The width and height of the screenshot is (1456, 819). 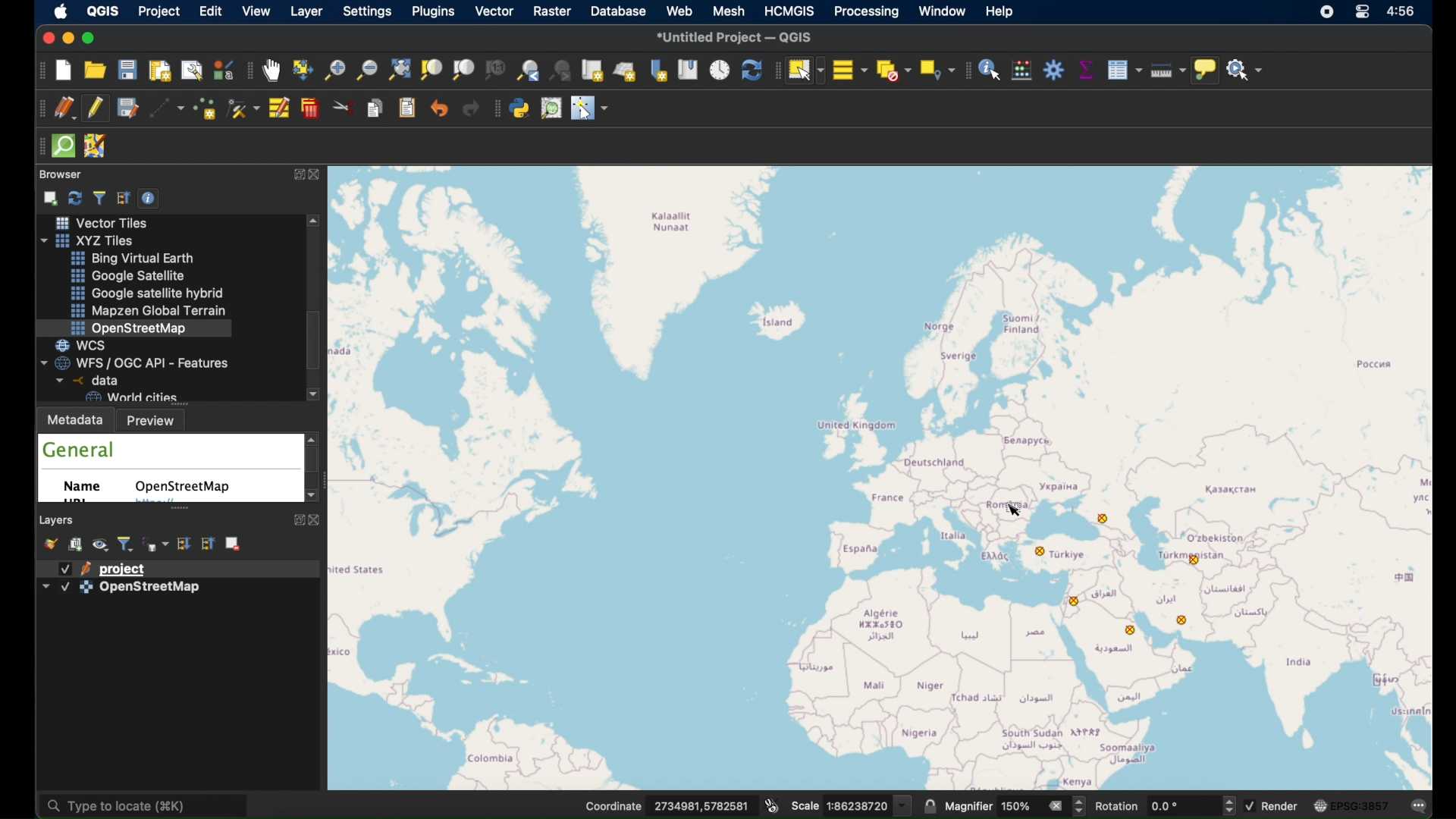 What do you see at coordinates (77, 545) in the screenshot?
I see `add group` at bounding box center [77, 545].